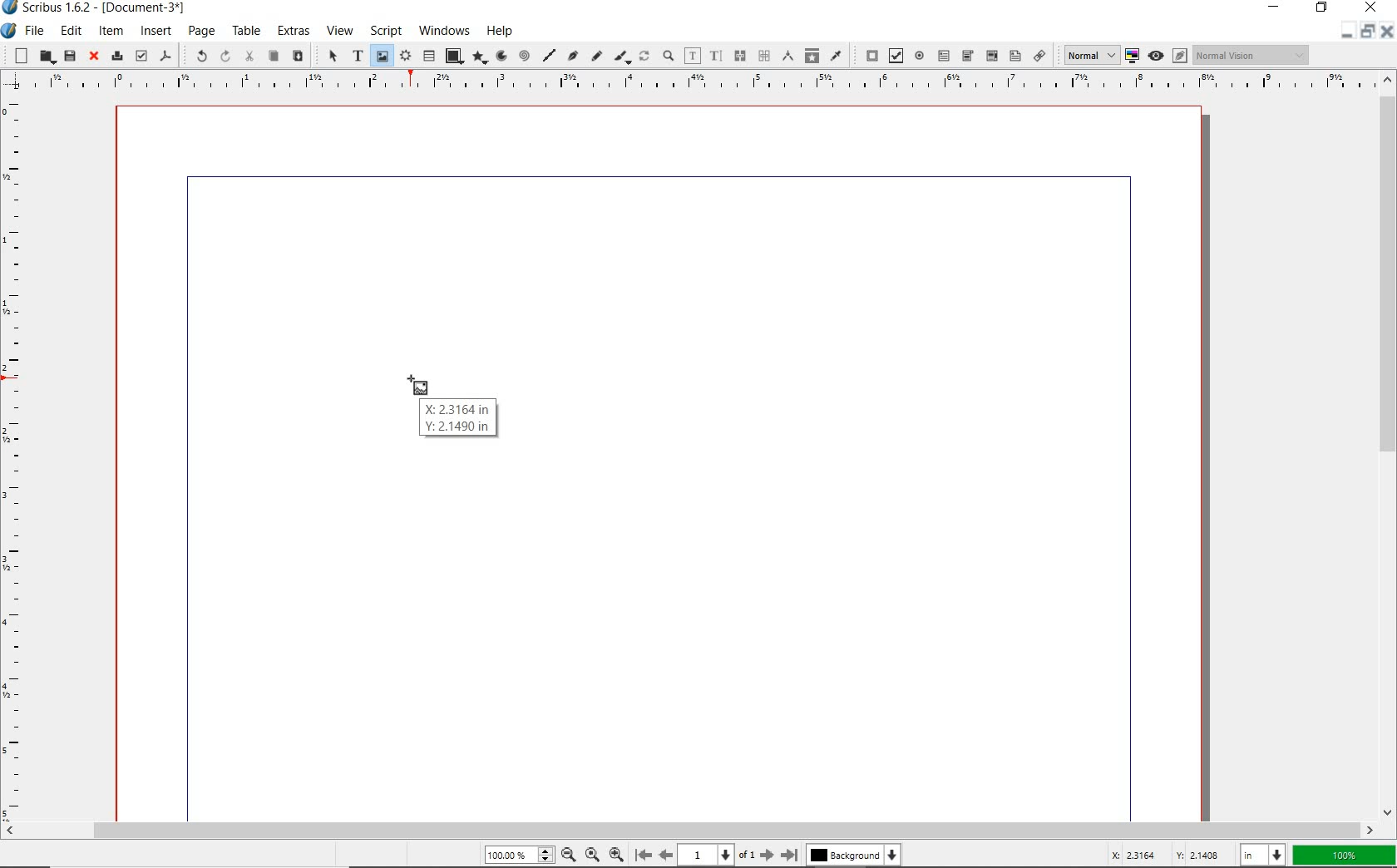 This screenshot has width=1397, height=868. Describe the element at coordinates (967, 56) in the screenshot. I see `pdf combo box` at that location.